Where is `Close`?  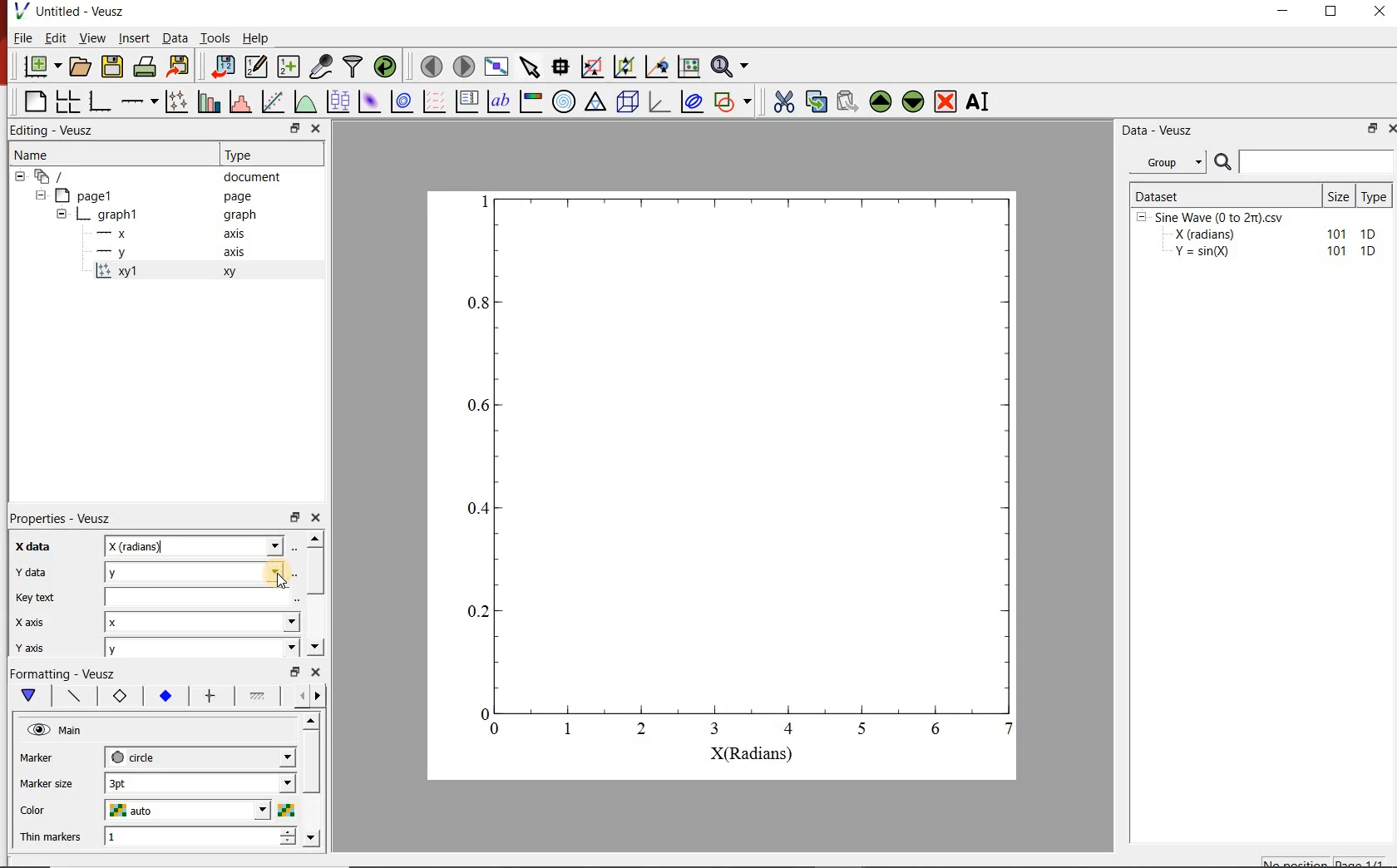
Close is located at coordinates (317, 515).